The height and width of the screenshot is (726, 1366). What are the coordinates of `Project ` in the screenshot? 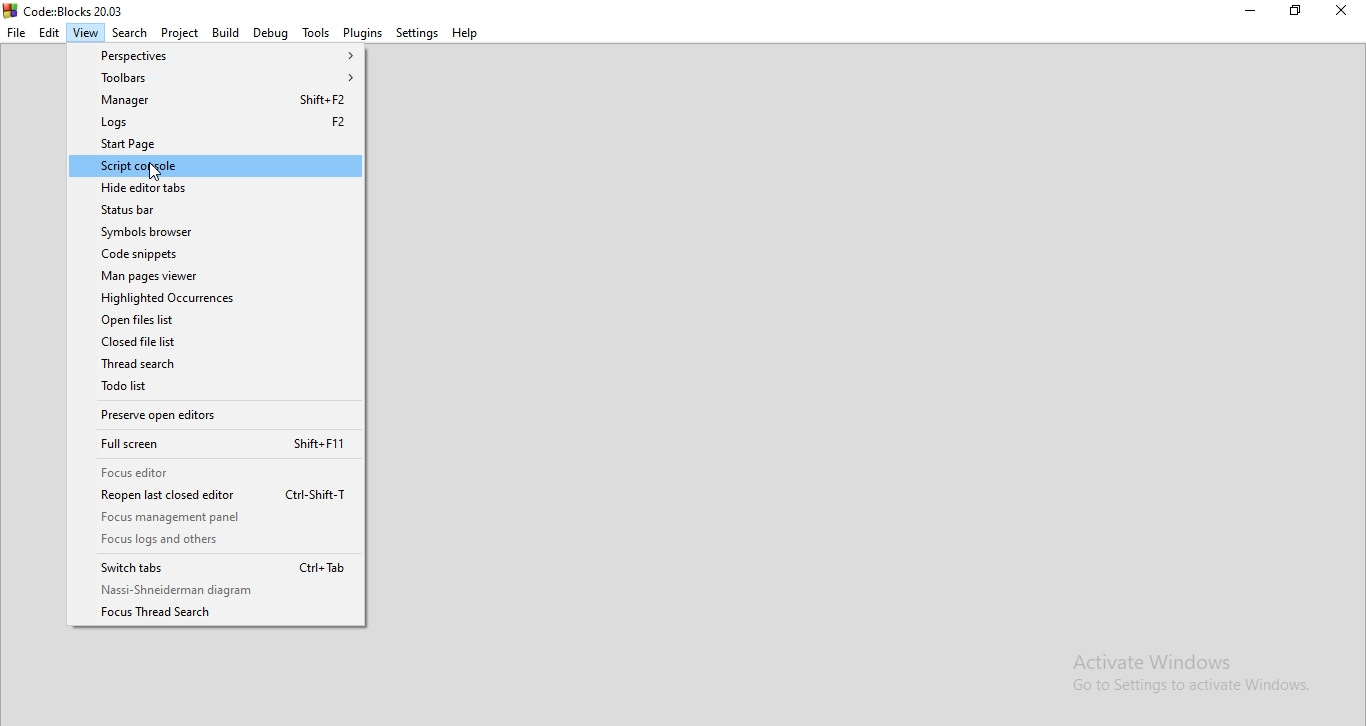 It's located at (179, 33).